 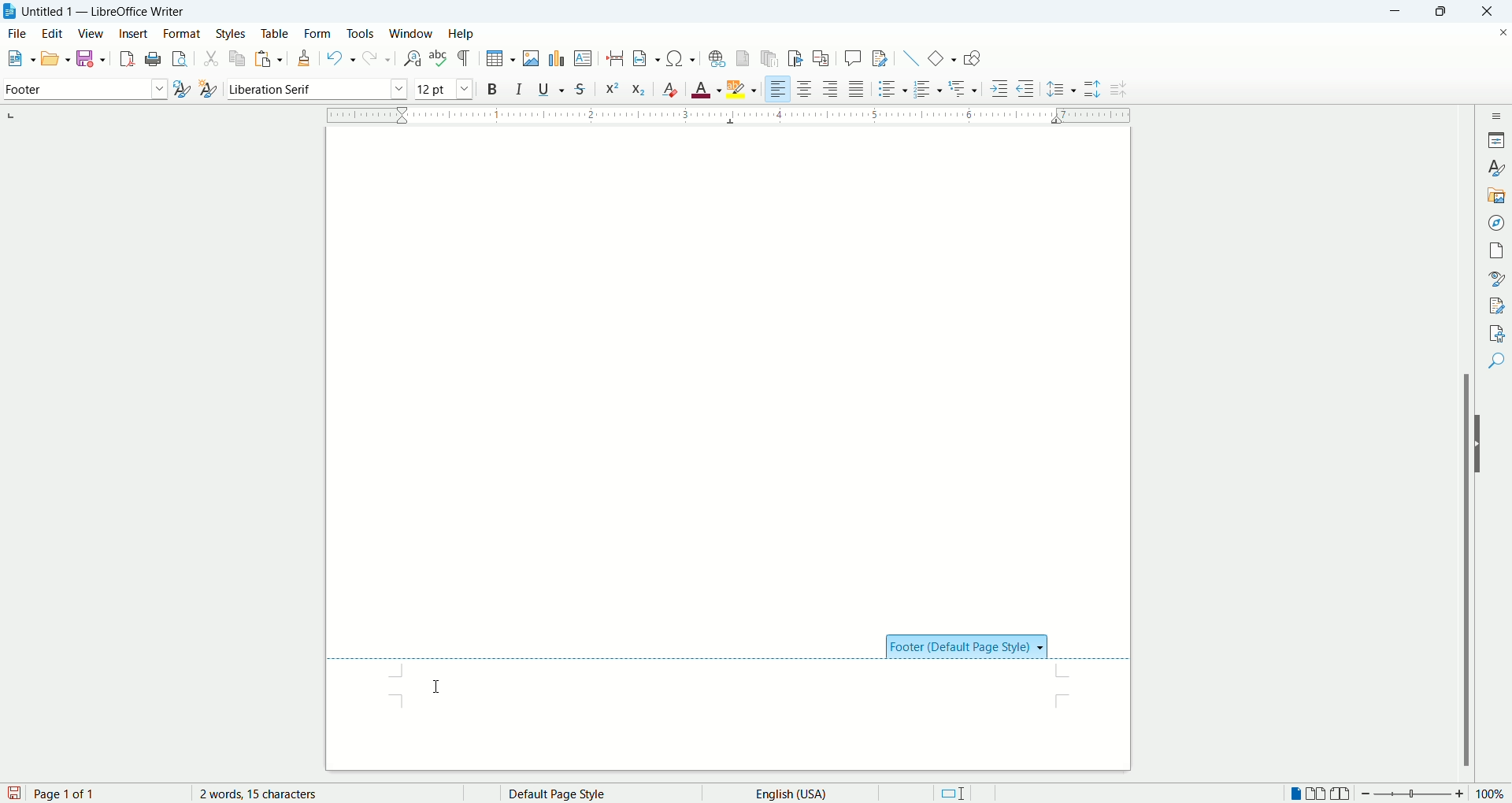 What do you see at coordinates (534, 58) in the screenshot?
I see `insert image` at bounding box center [534, 58].